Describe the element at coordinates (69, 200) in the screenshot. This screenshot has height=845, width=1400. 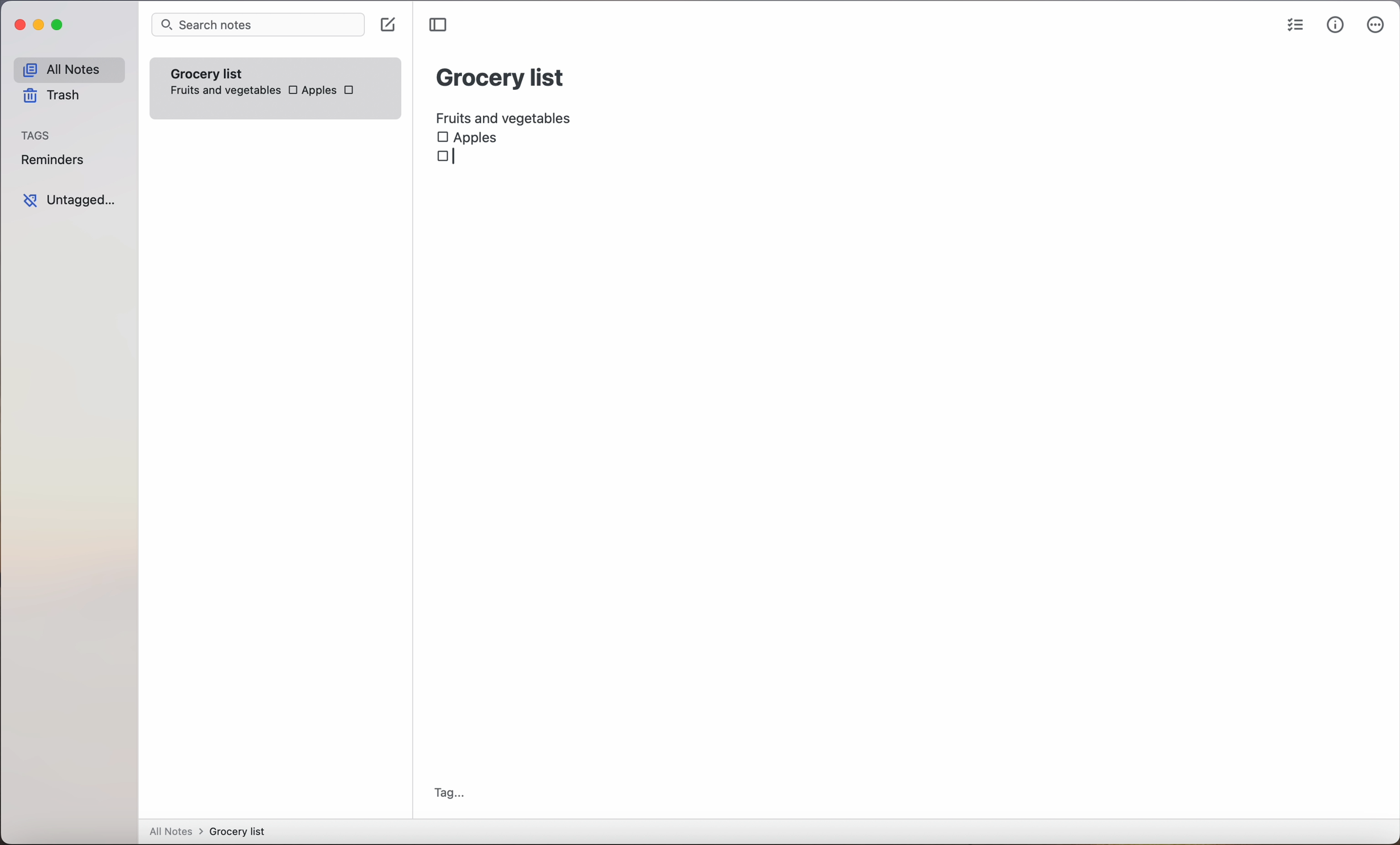
I see `untagged` at that location.